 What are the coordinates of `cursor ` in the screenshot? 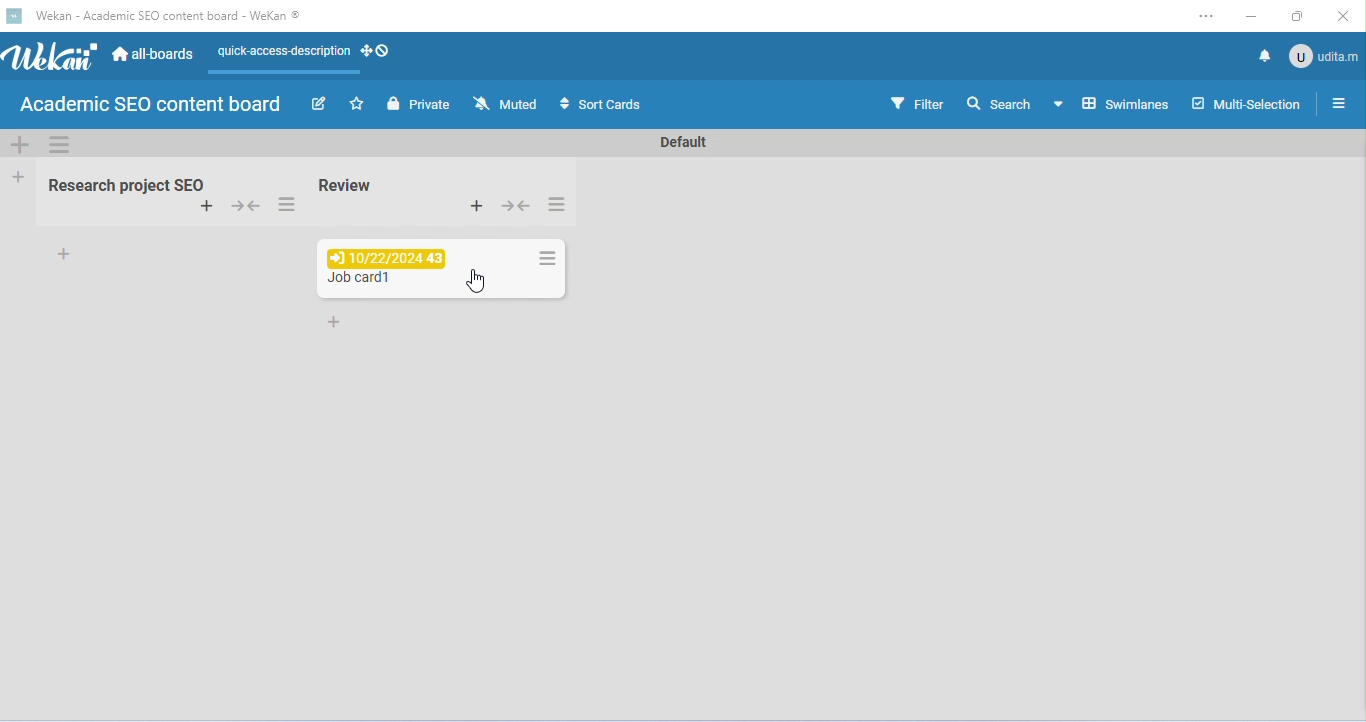 It's located at (477, 281).